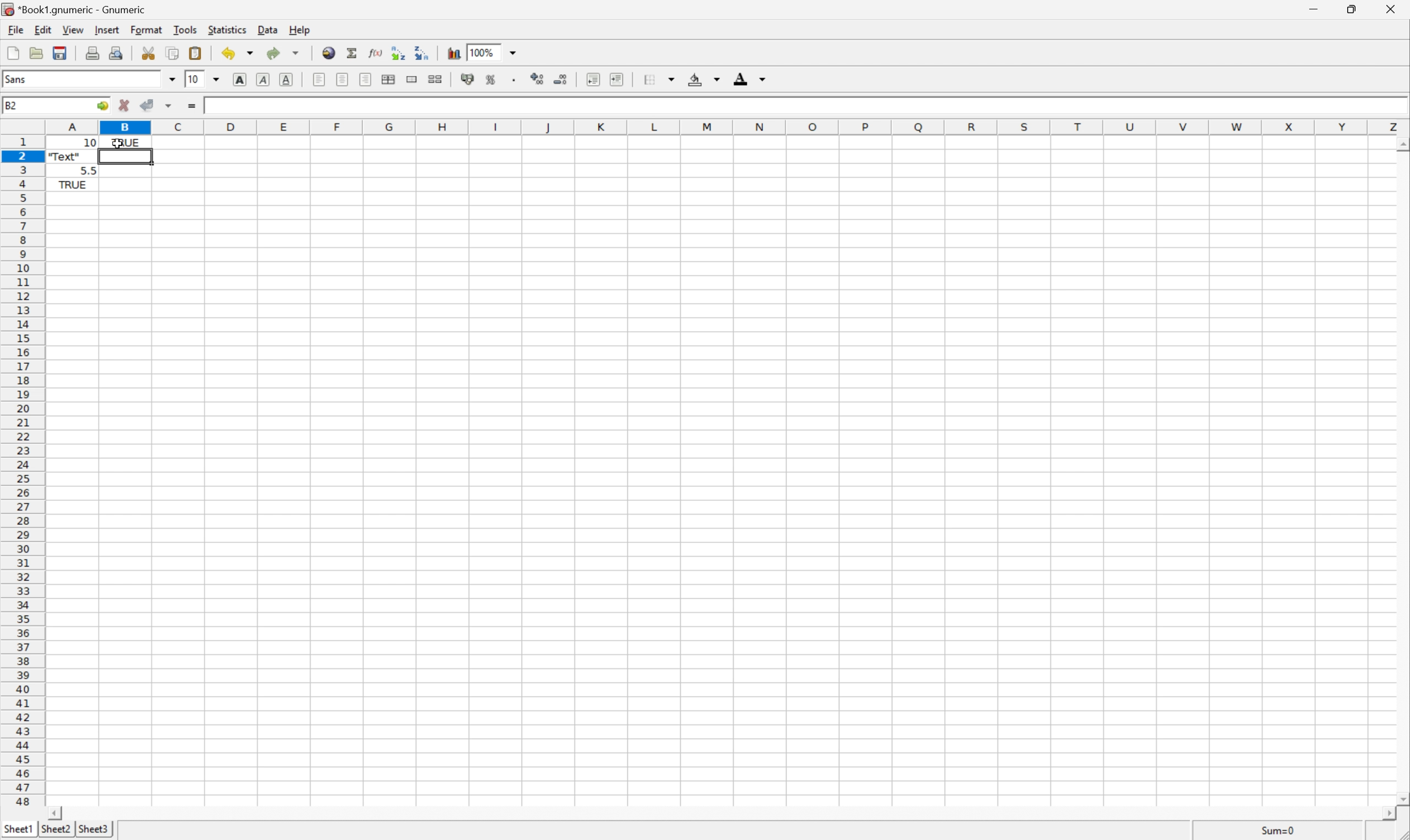  I want to click on File, so click(14, 28).